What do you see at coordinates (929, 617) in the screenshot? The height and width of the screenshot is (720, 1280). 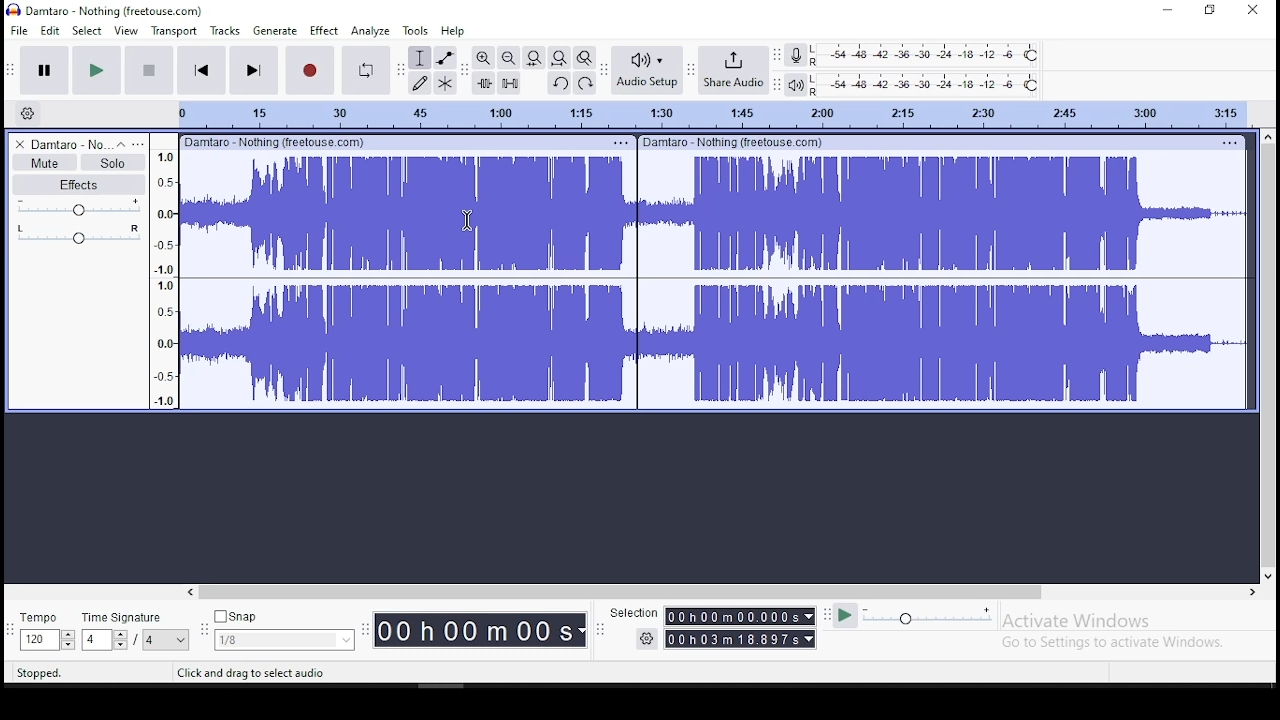 I see `playback speed` at bounding box center [929, 617].